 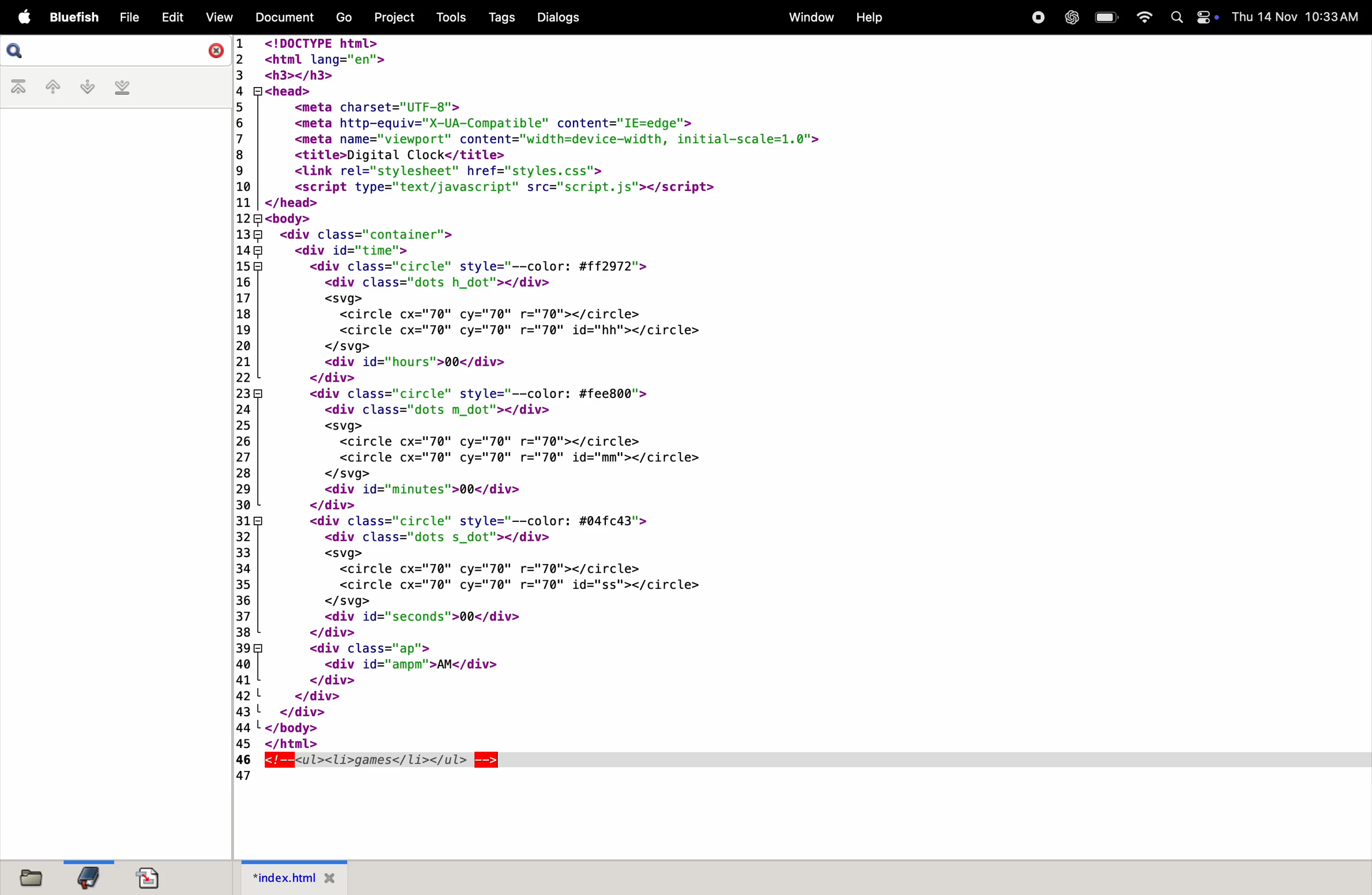 What do you see at coordinates (559, 18) in the screenshot?
I see `dialogs` at bounding box center [559, 18].